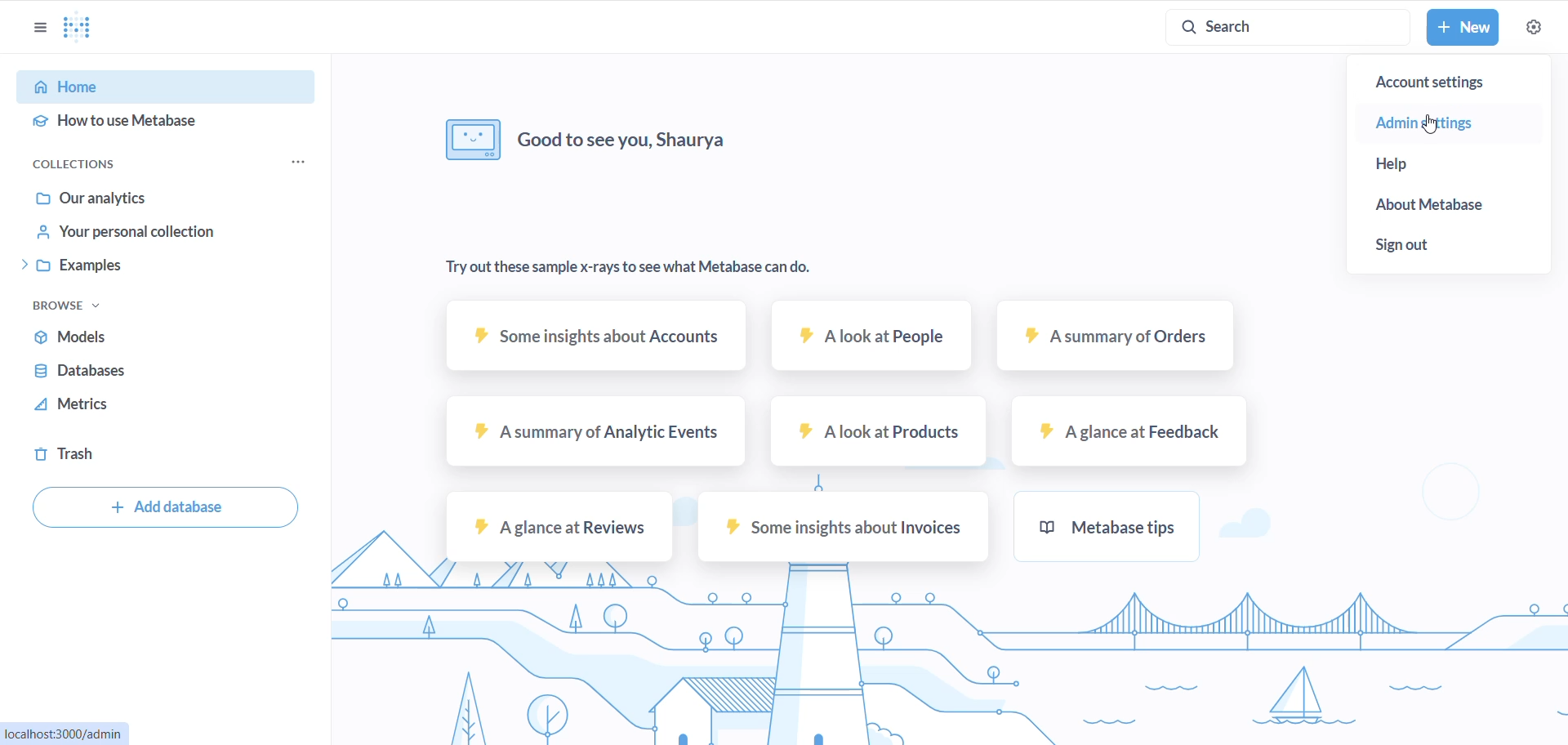  Describe the element at coordinates (160, 507) in the screenshot. I see `ADD DATABASE` at that location.